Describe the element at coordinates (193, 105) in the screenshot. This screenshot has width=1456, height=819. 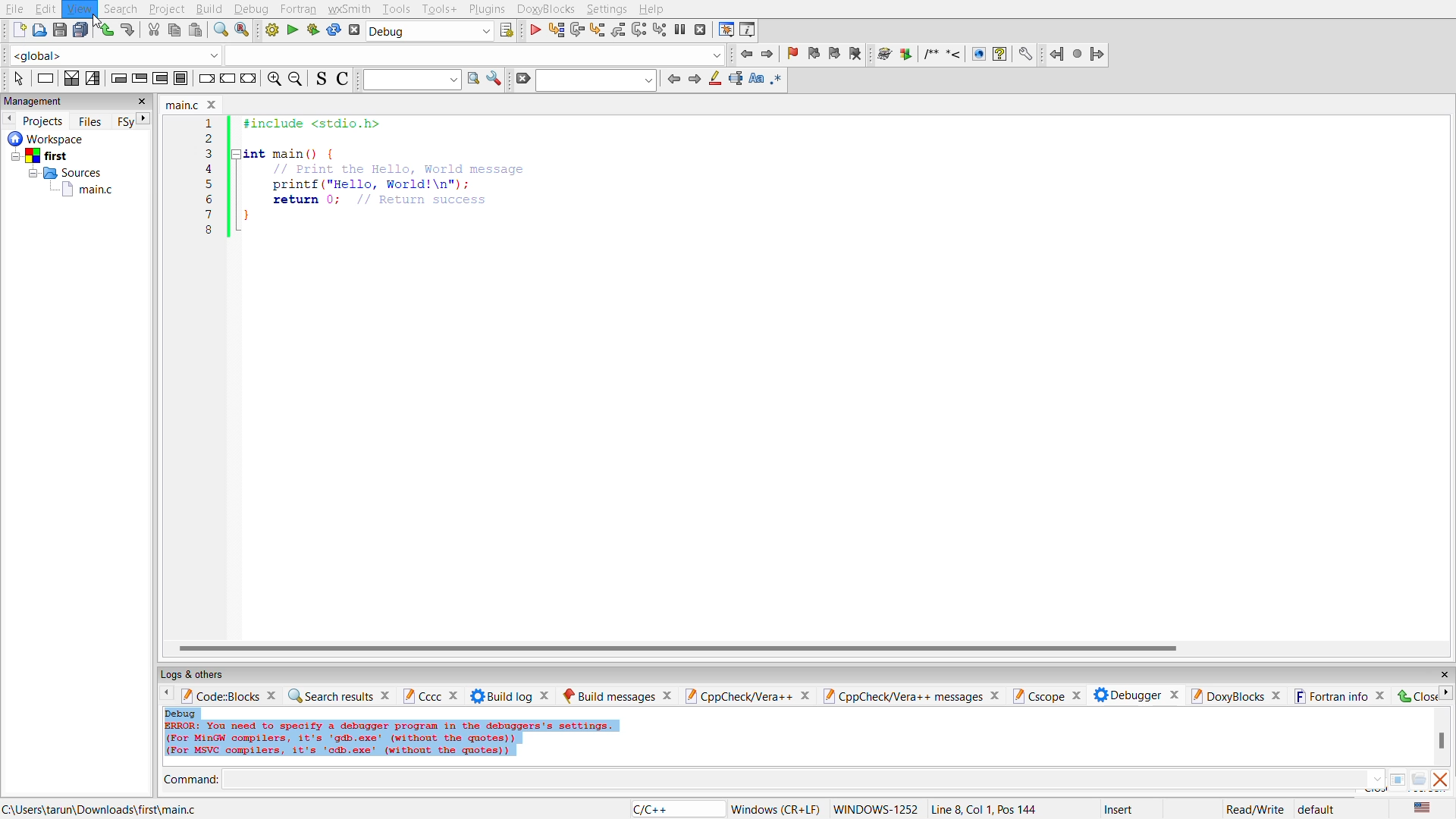
I see `file name` at that location.